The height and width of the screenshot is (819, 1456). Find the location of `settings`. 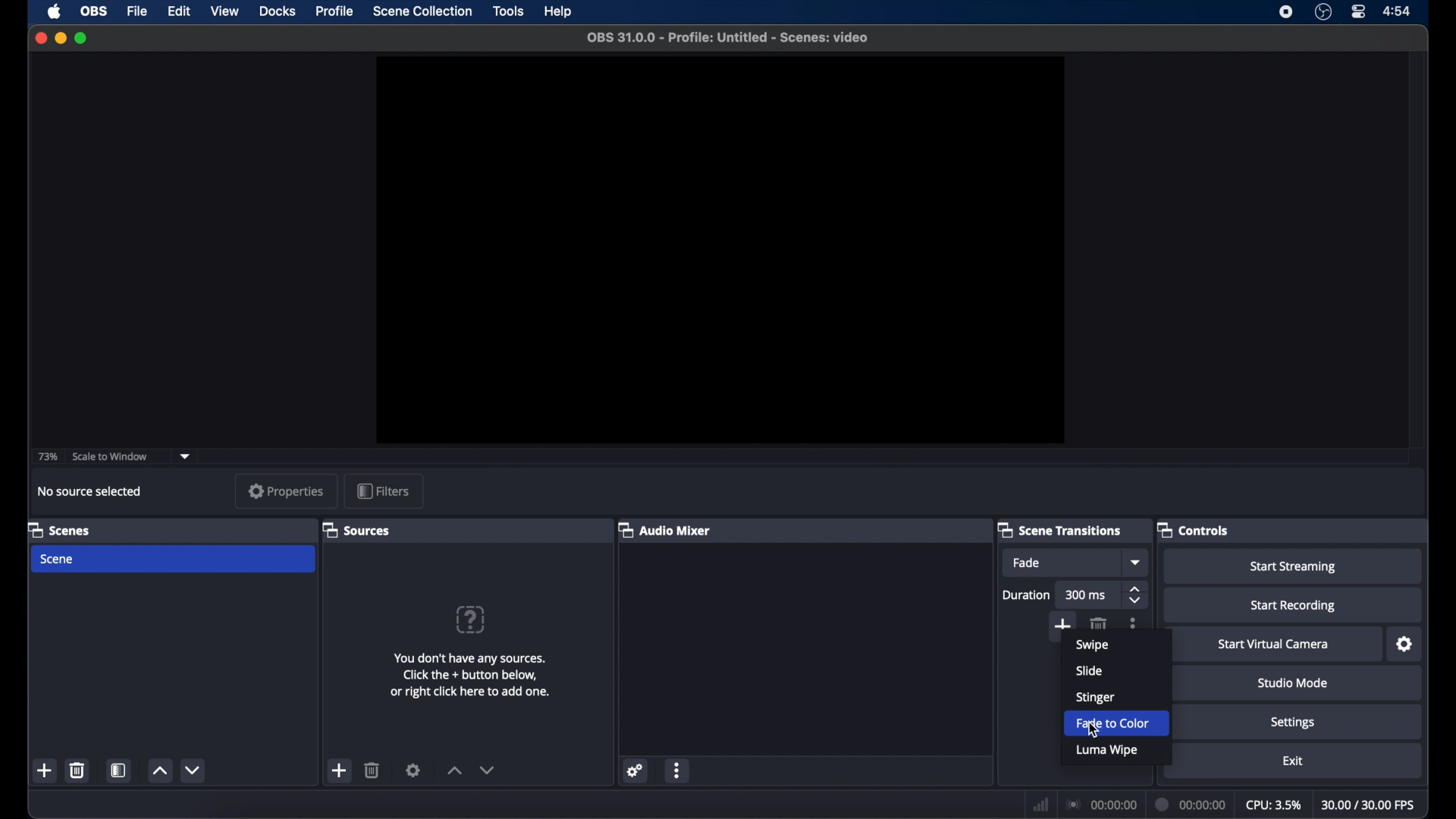

settings is located at coordinates (1293, 722).